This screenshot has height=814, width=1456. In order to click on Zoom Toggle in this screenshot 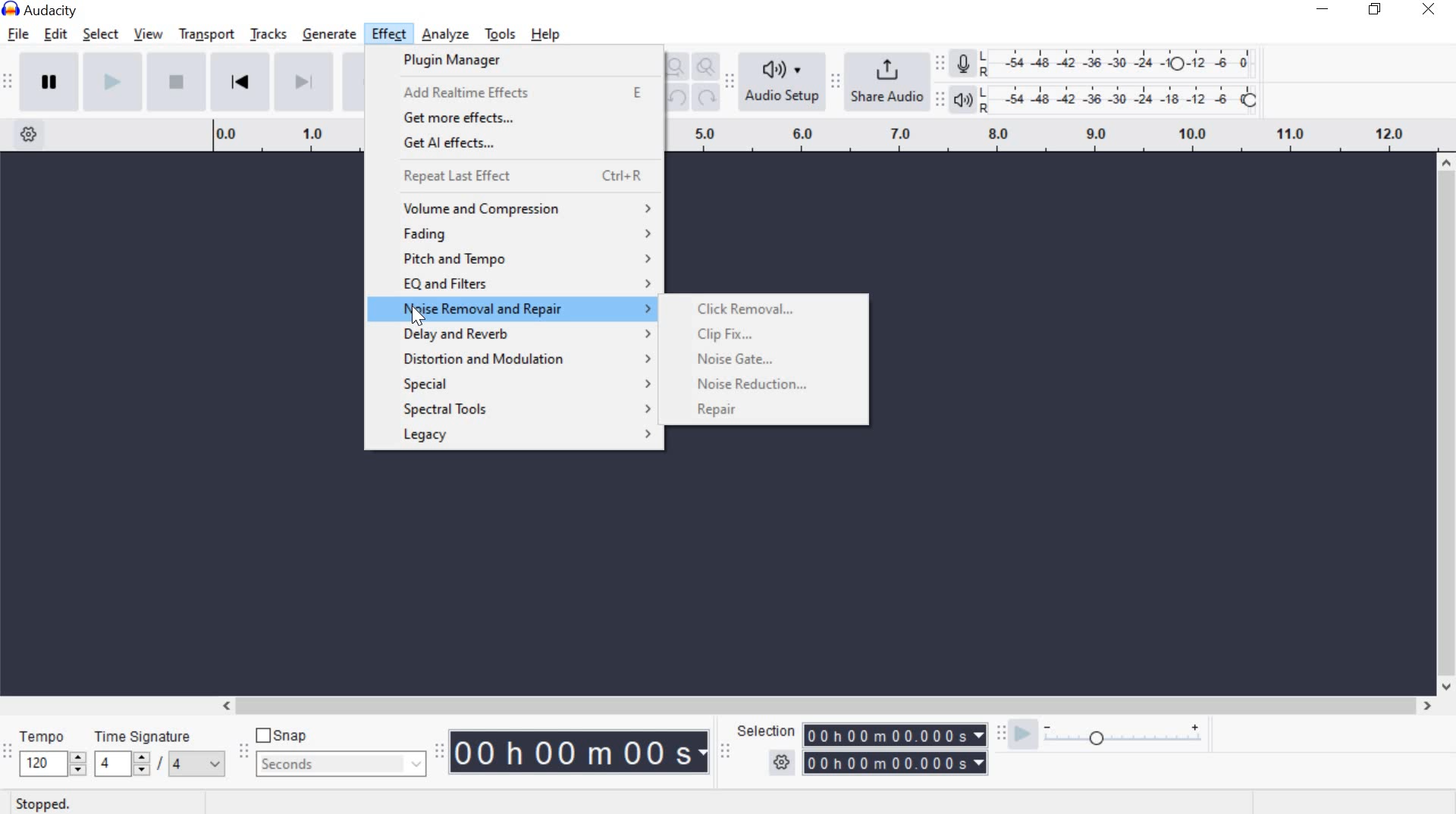, I will do `click(704, 67)`.